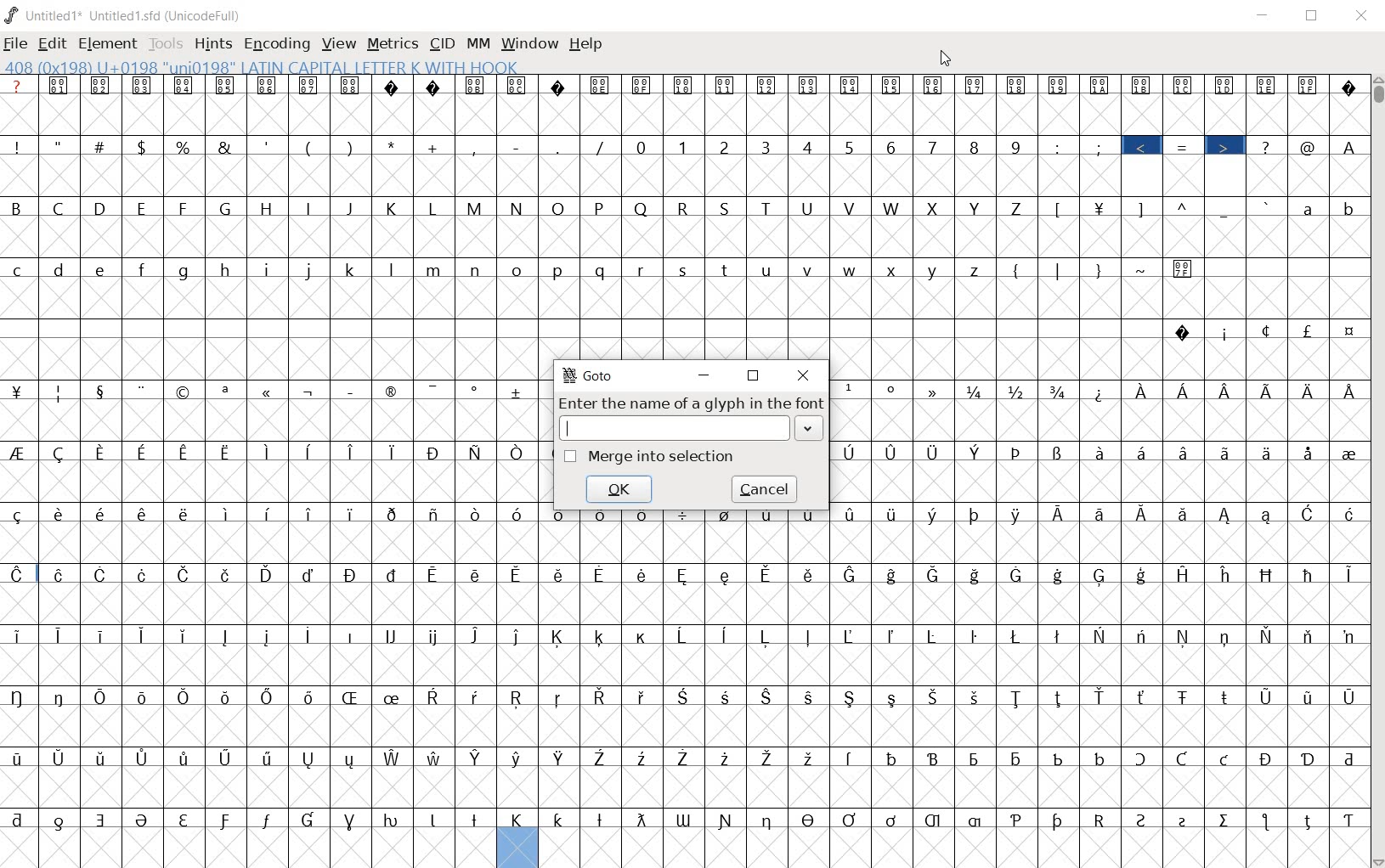  What do you see at coordinates (314, 144) in the screenshot?
I see `symbols` at bounding box center [314, 144].